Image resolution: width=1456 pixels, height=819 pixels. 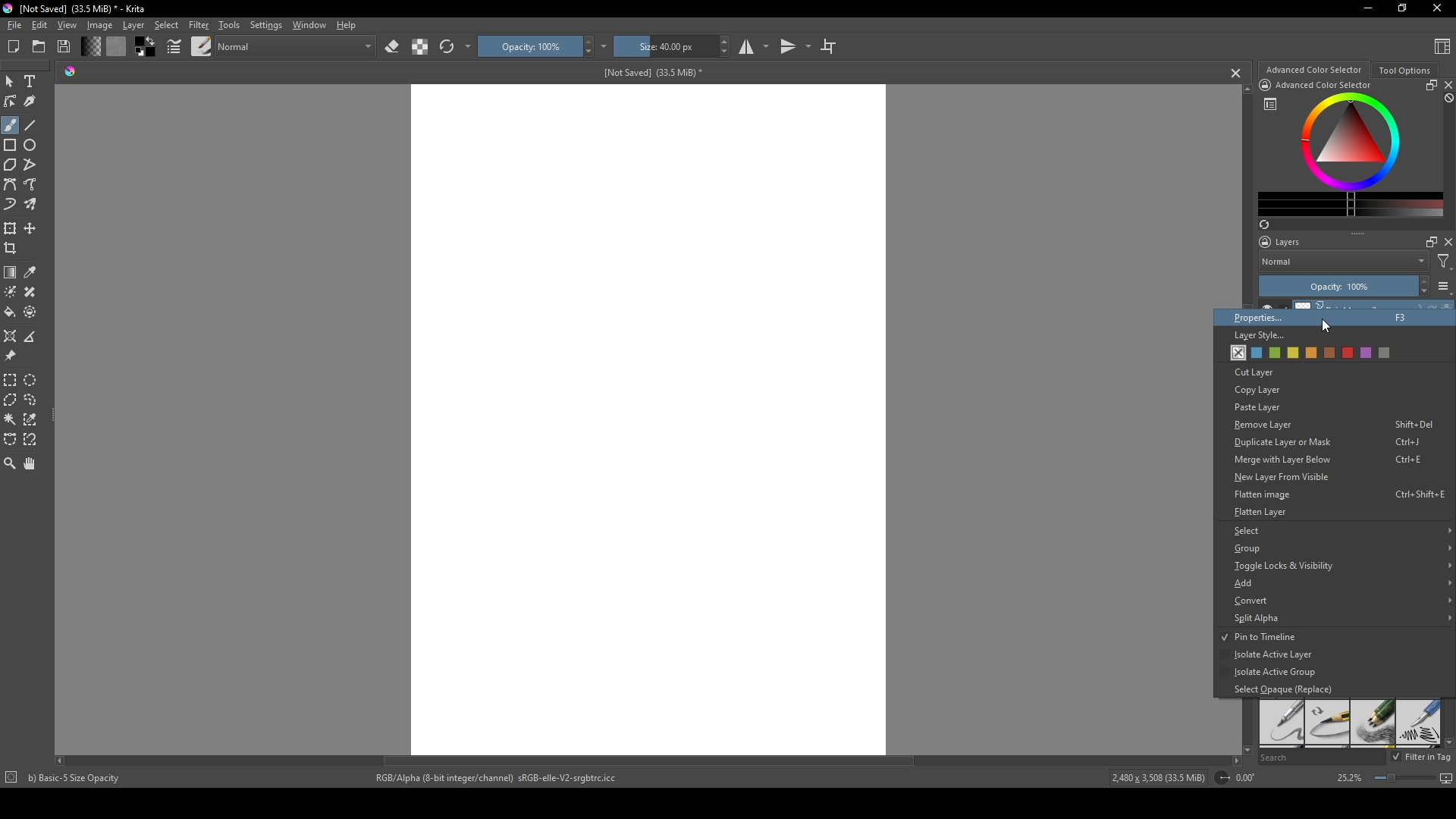 I want to click on Help, so click(x=347, y=24).